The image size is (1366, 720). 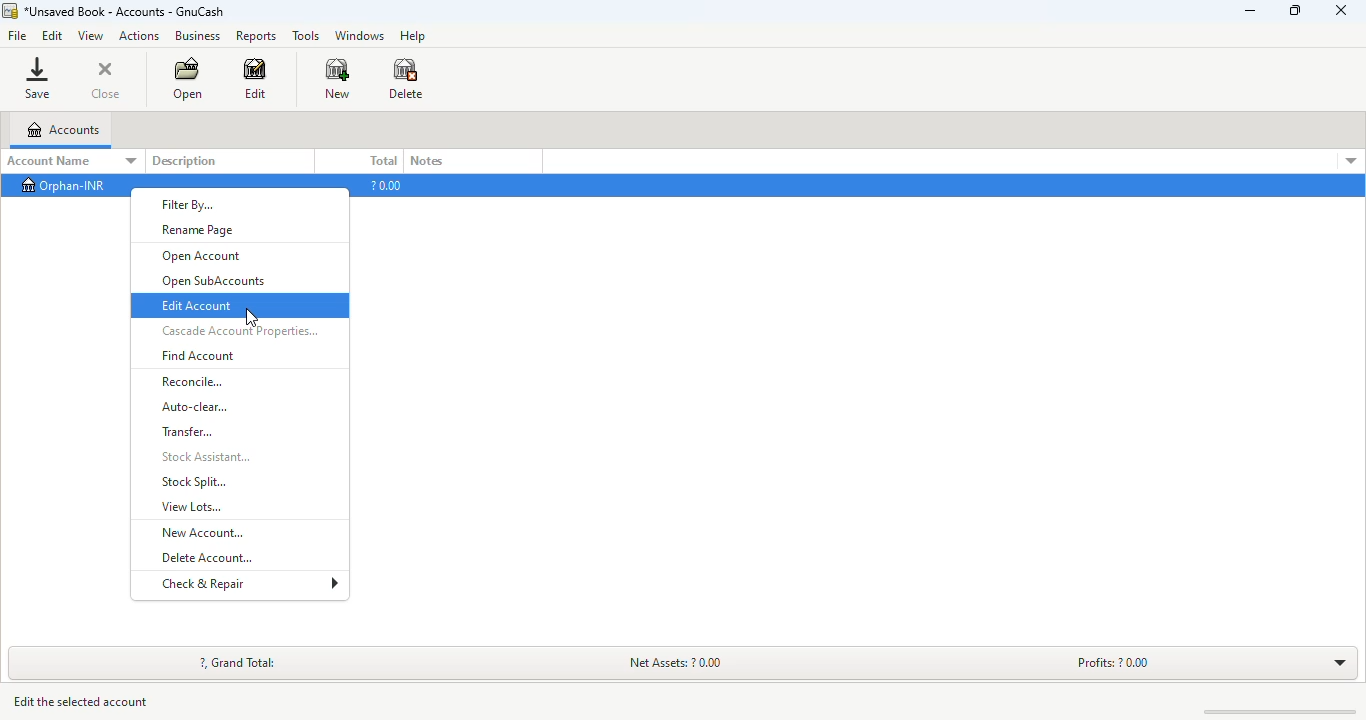 What do you see at coordinates (191, 507) in the screenshot?
I see `view lots` at bounding box center [191, 507].